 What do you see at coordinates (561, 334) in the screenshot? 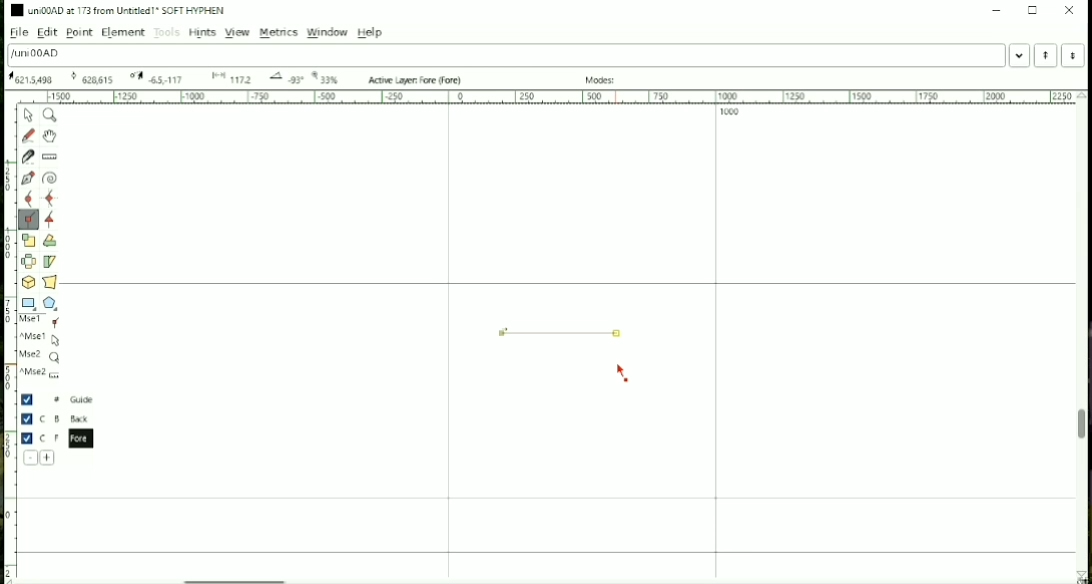
I see `Line` at bounding box center [561, 334].